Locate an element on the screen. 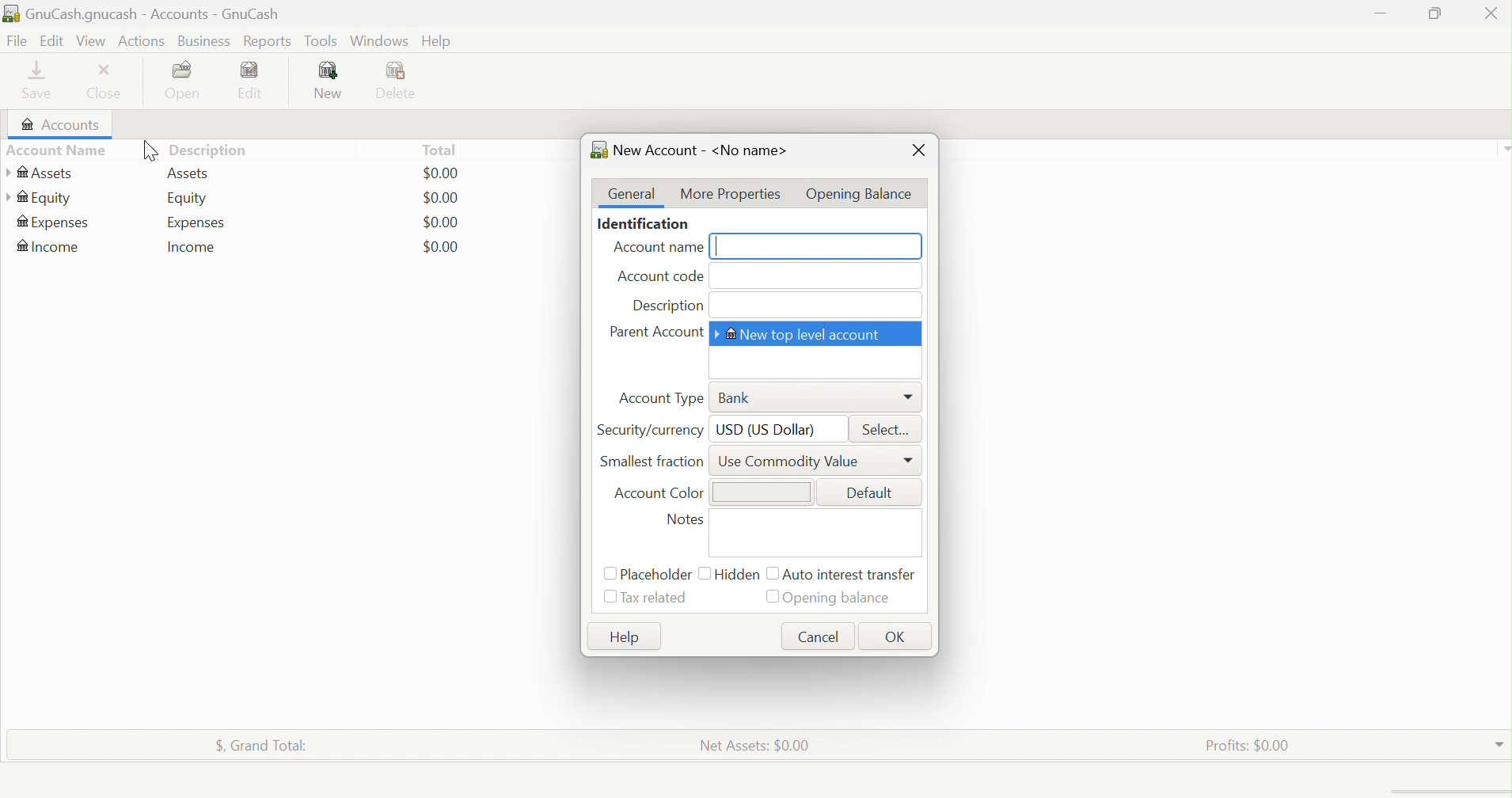 This screenshot has width=1512, height=798. Typing Cursor is located at coordinates (720, 248).